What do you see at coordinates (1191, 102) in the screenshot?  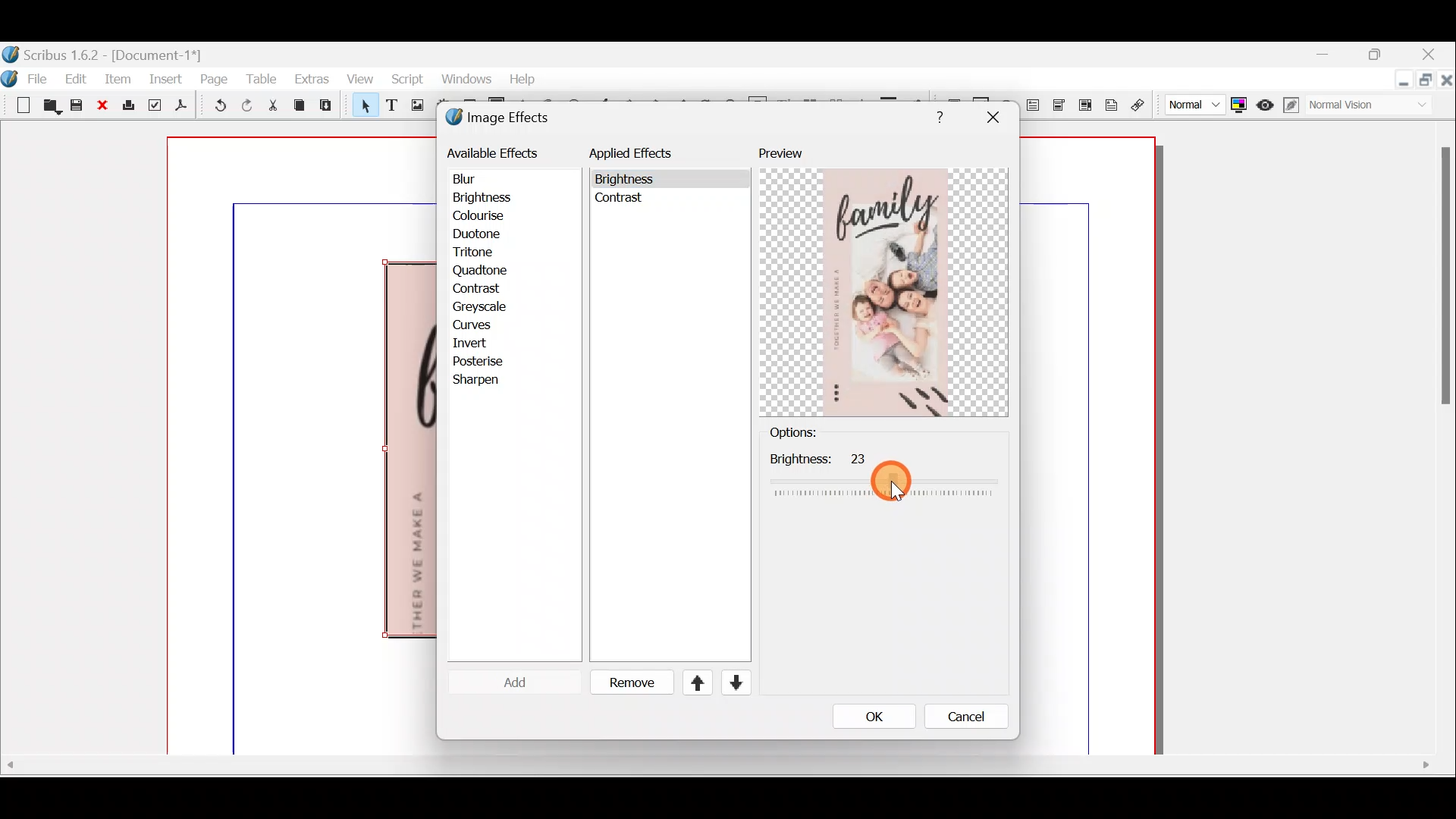 I see `Select image preview quality` at bounding box center [1191, 102].